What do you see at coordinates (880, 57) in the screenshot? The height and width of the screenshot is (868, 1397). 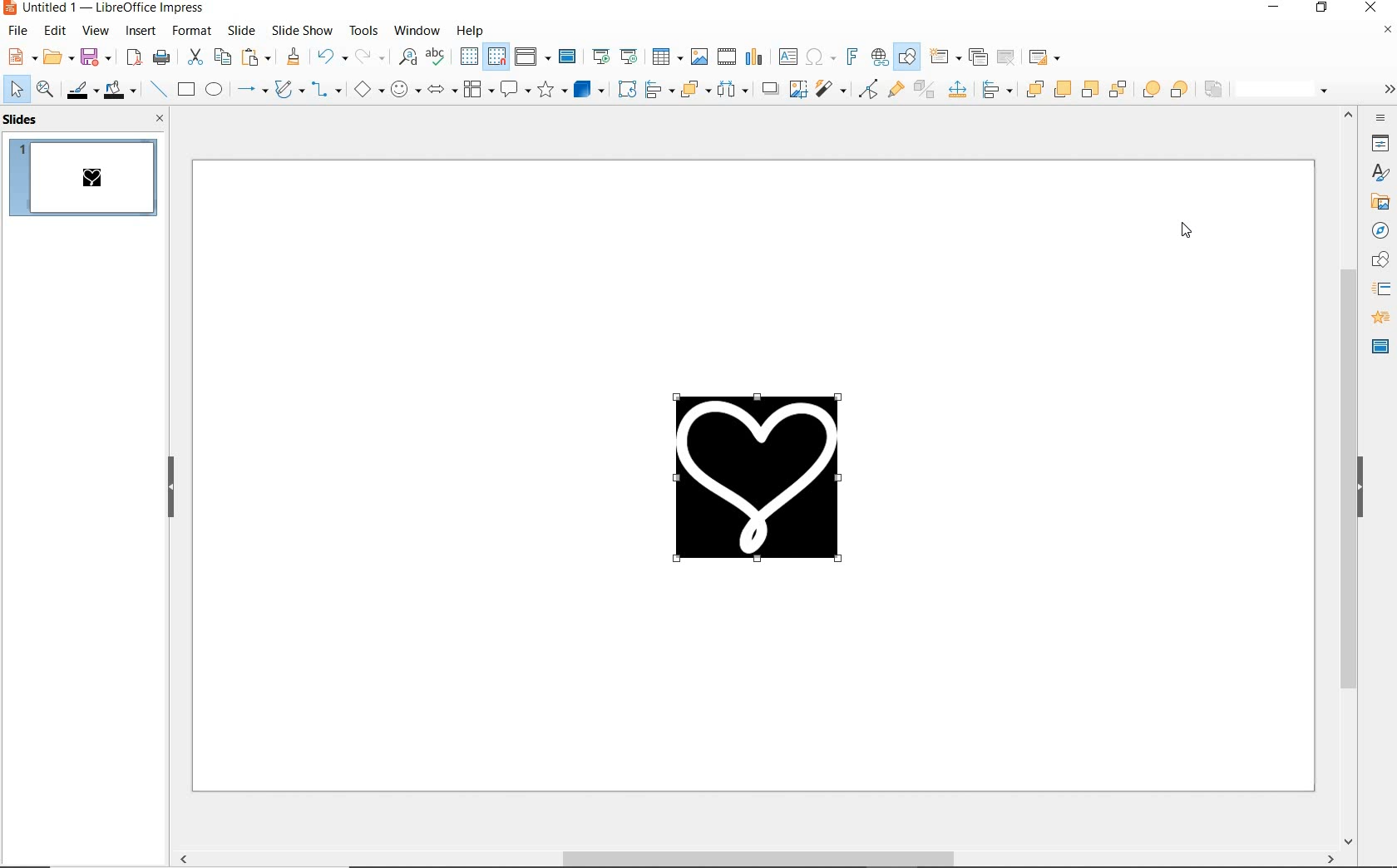 I see `insert hyperlink` at bounding box center [880, 57].